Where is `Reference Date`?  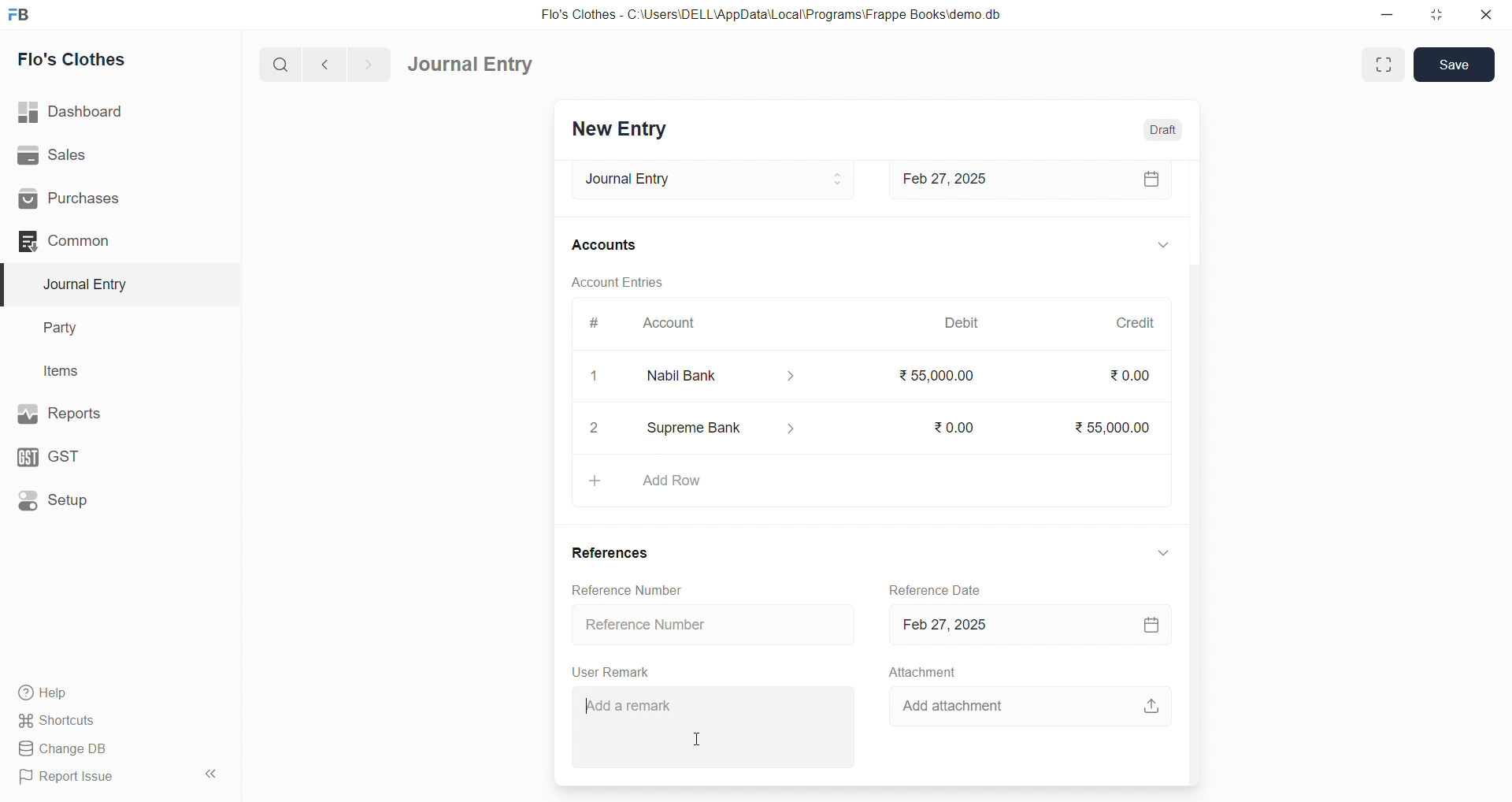
Reference Date is located at coordinates (939, 589).